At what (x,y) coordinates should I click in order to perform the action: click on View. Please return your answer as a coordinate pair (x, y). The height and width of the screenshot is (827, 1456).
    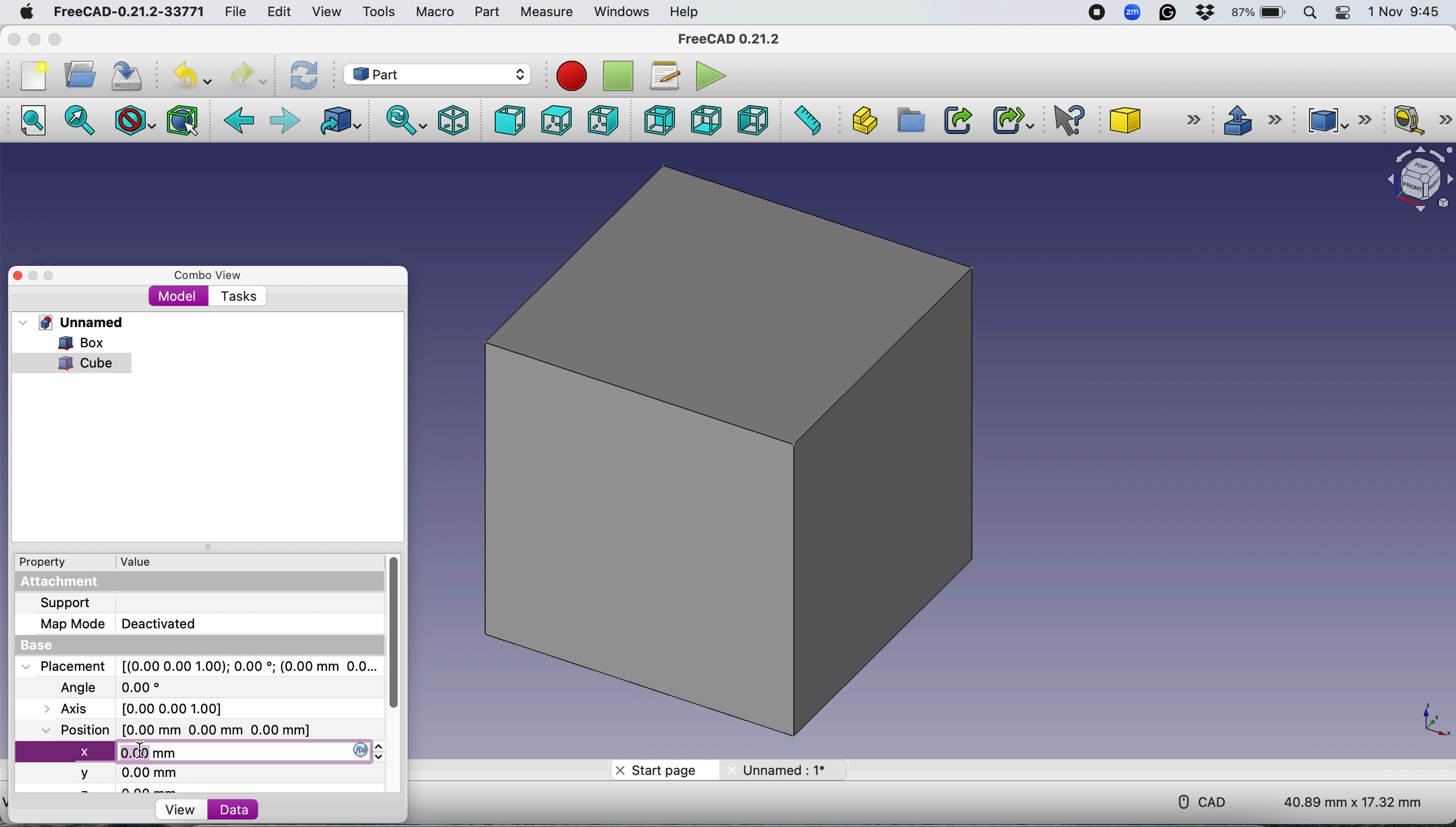
    Looking at the image, I should click on (177, 809).